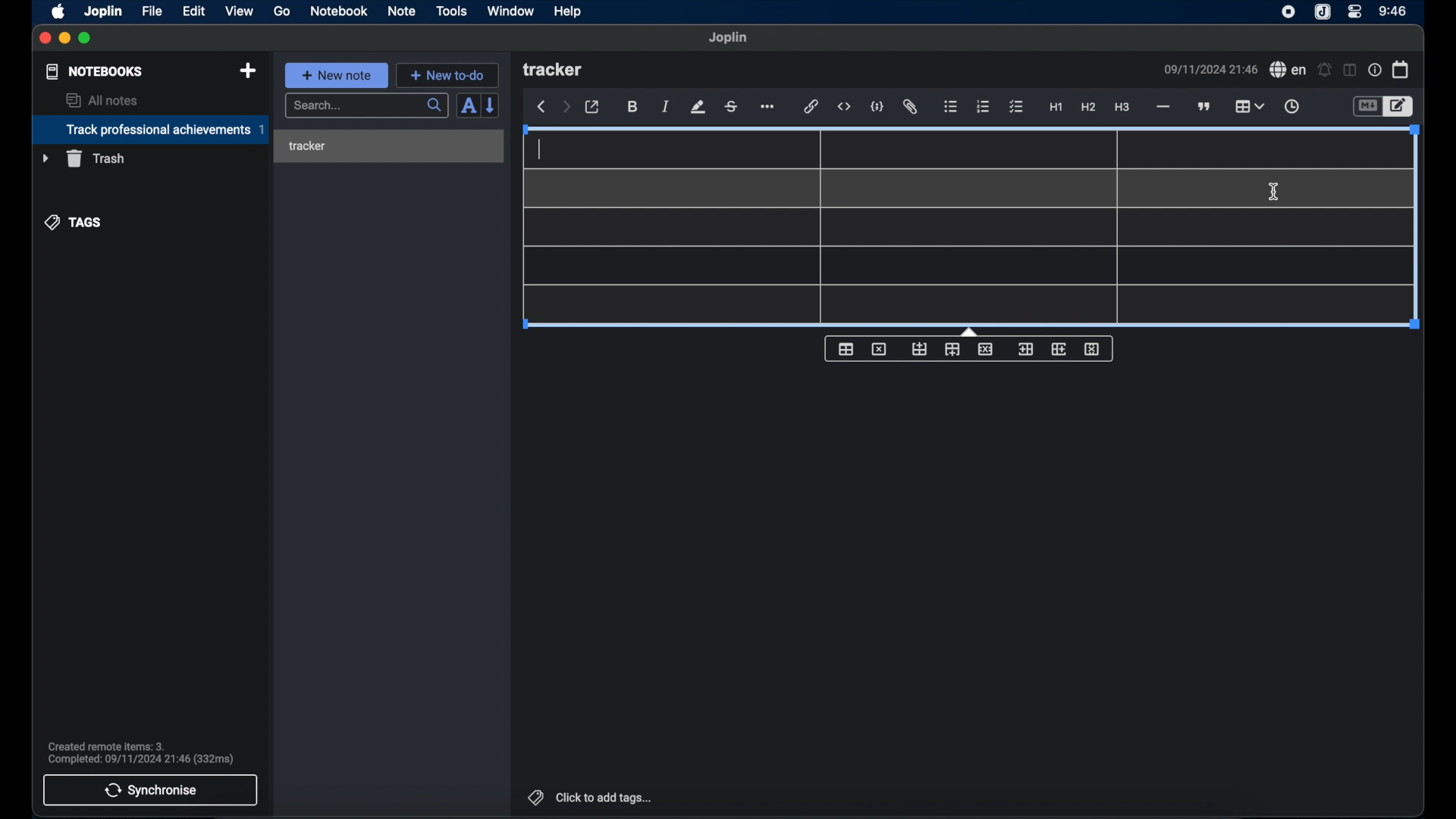 This screenshot has height=819, width=1456. Describe the element at coordinates (149, 130) in the screenshot. I see `track professional achievements` at that location.